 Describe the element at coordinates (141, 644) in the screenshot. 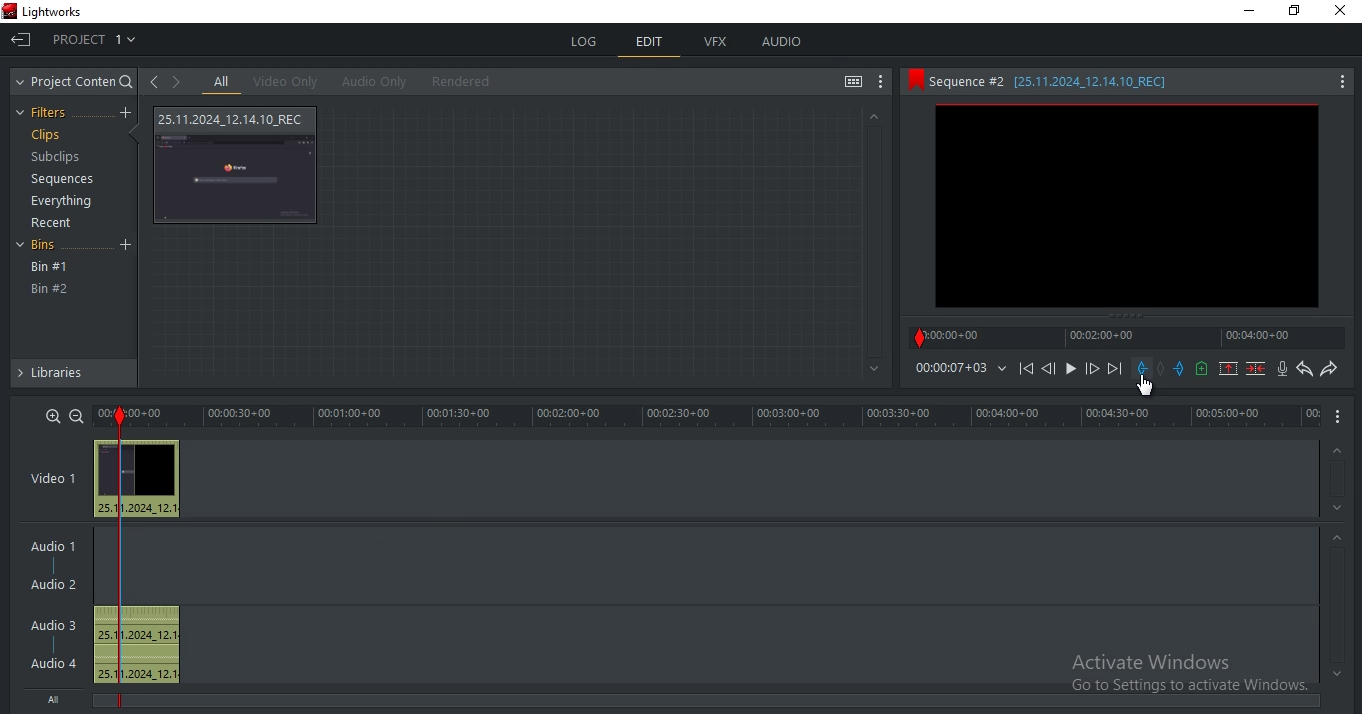

I see `audio` at that location.